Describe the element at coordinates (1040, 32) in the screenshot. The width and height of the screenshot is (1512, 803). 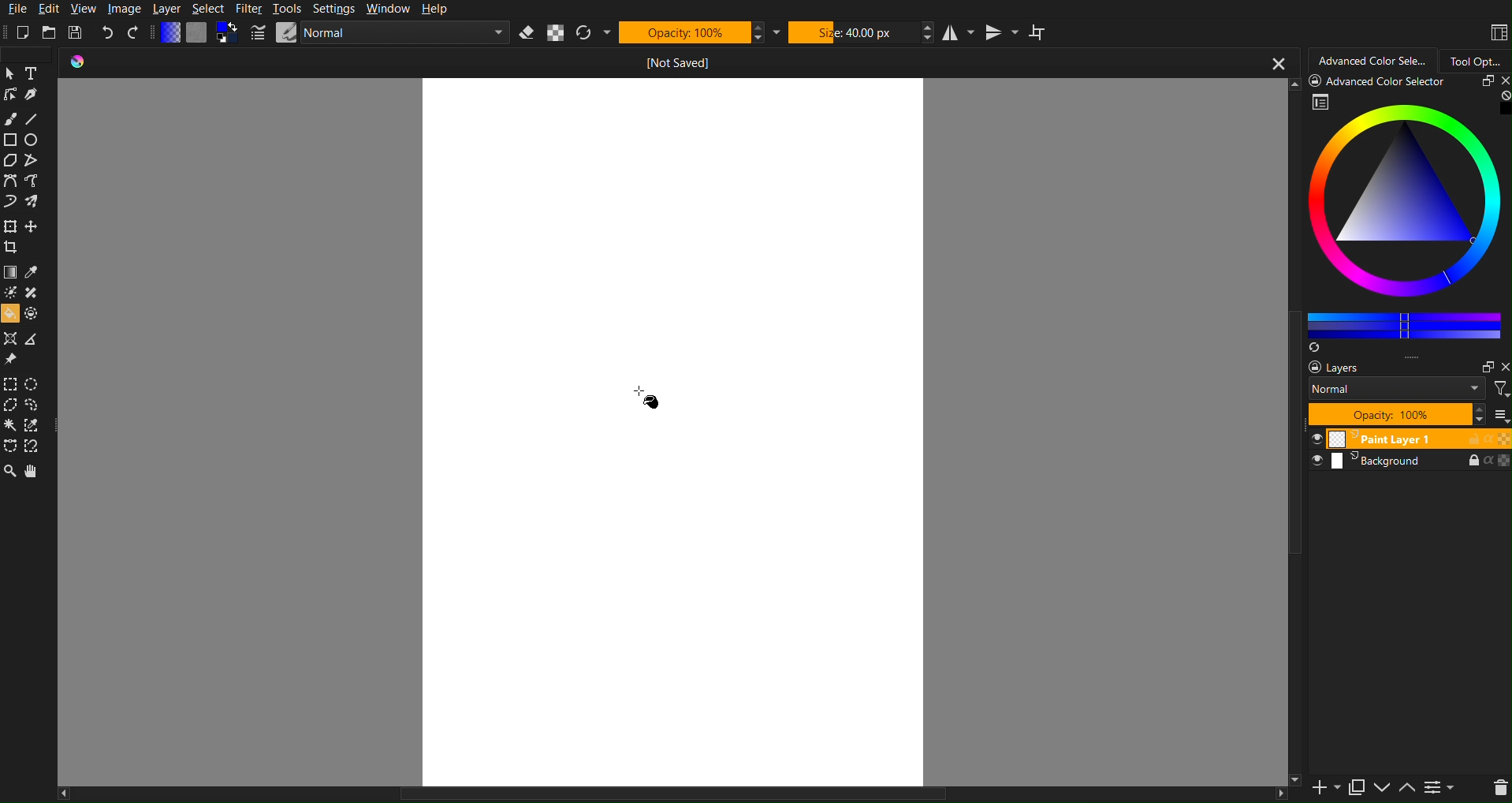
I see `Wrap Around` at that location.